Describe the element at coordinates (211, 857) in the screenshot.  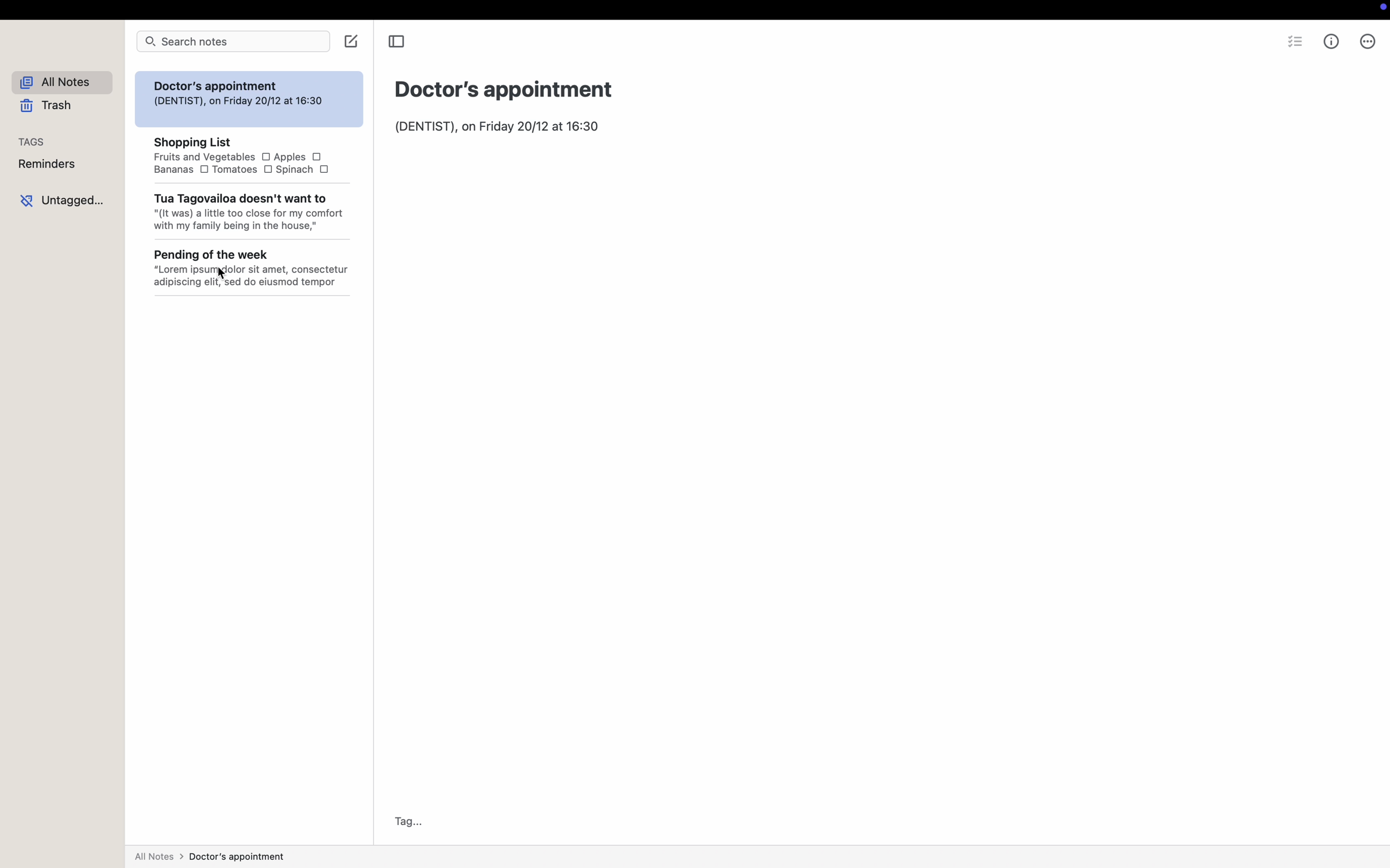
I see `all notes > doctor's appointment` at that location.